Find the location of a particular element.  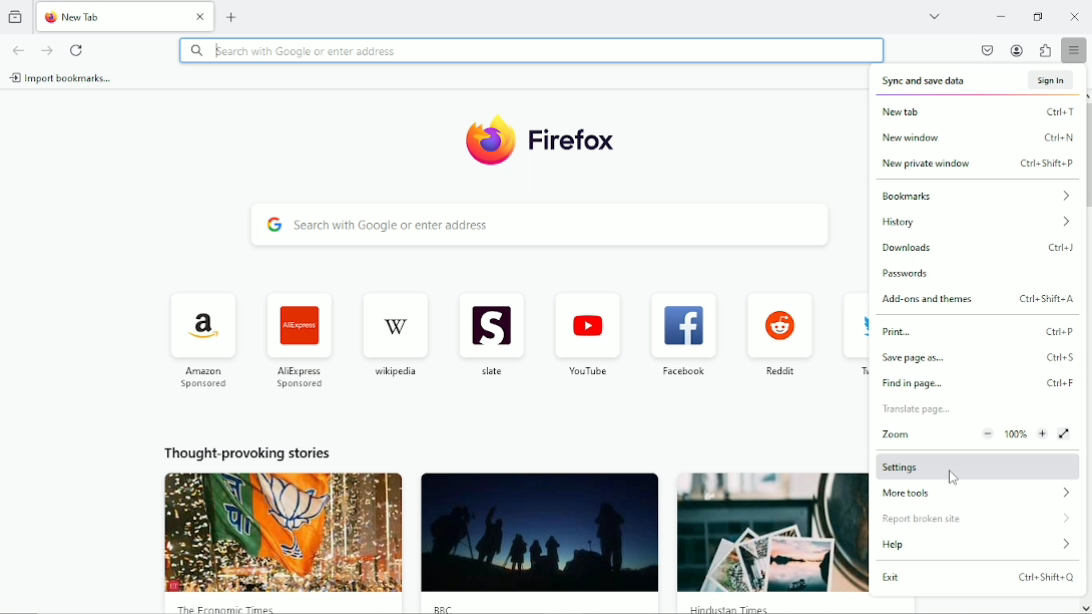

close is located at coordinates (201, 17).